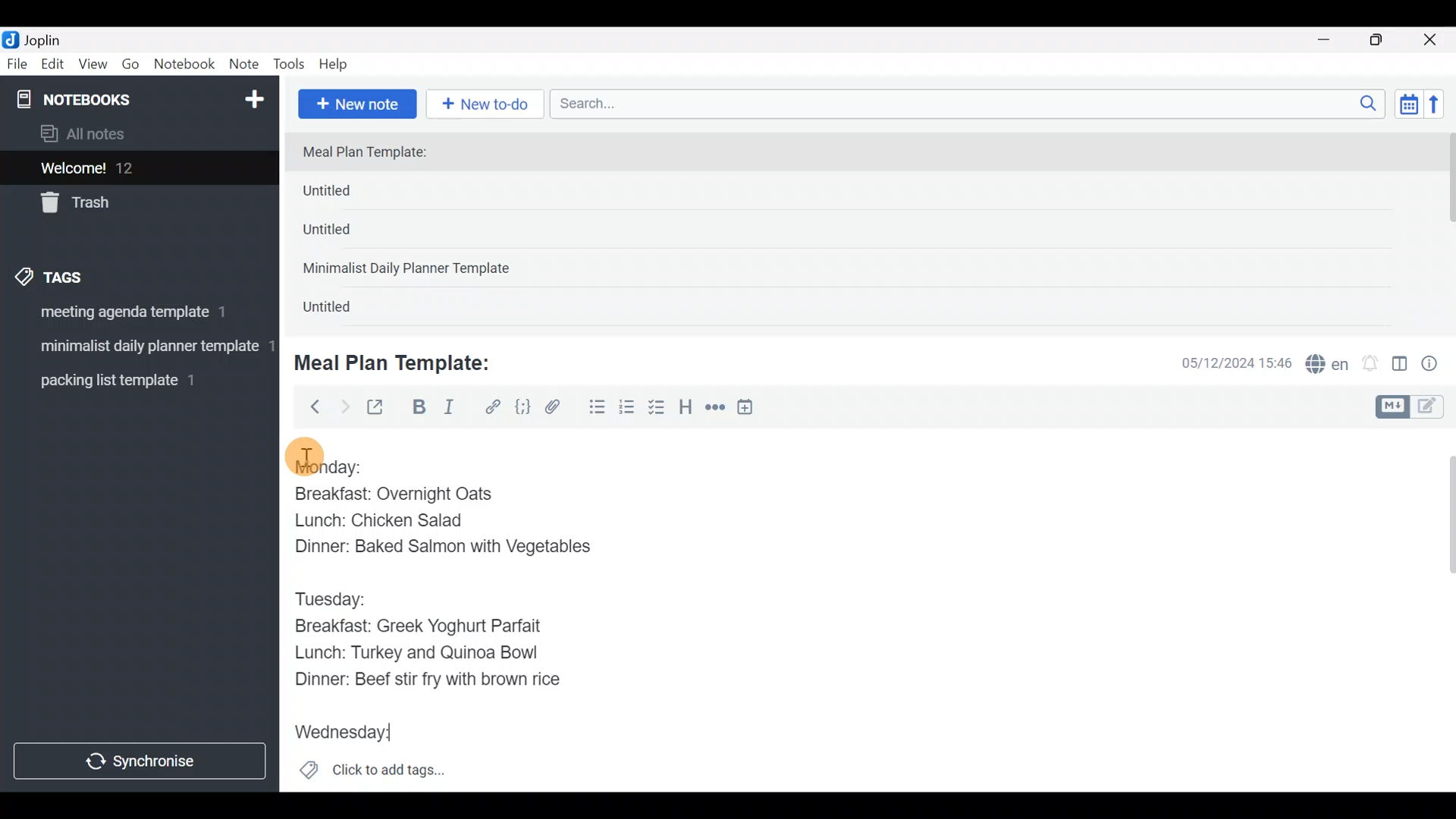 The image size is (1456, 819). What do you see at coordinates (139, 348) in the screenshot?
I see `Tag 2` at bounding box center [139, 348].